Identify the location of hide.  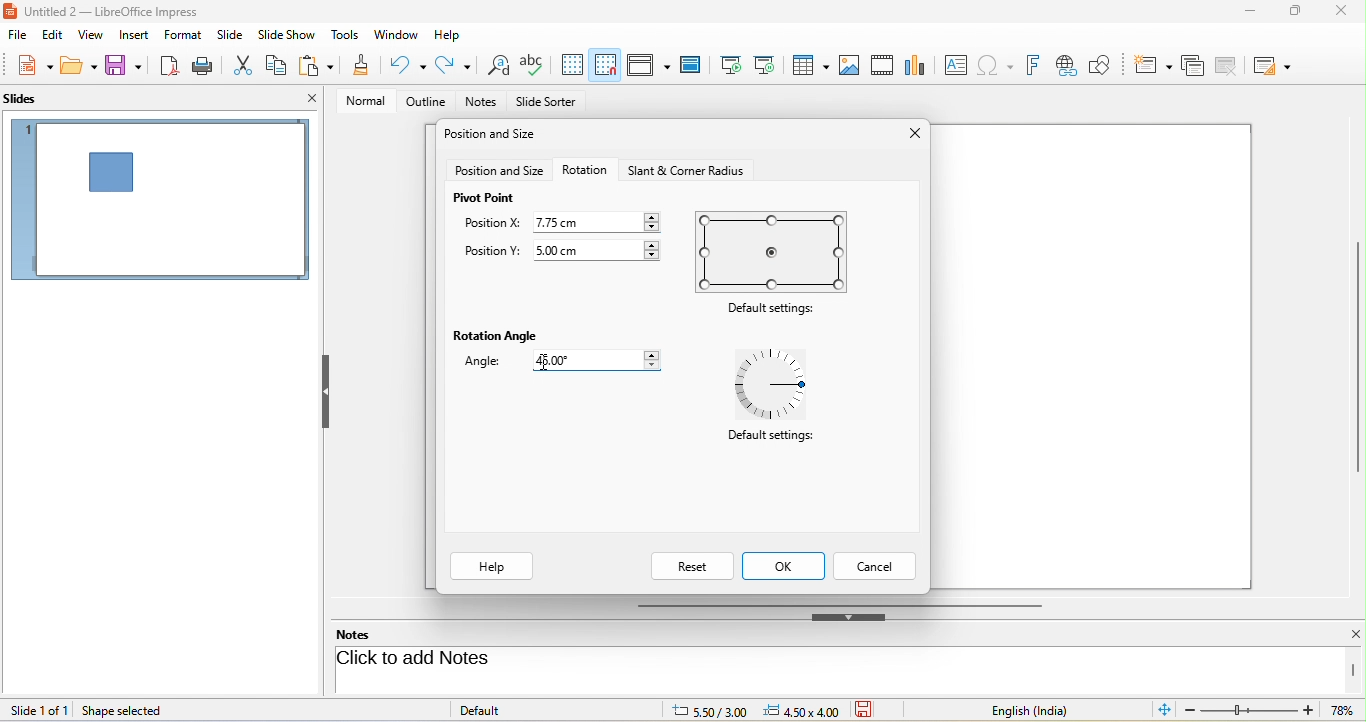
(849, 617).